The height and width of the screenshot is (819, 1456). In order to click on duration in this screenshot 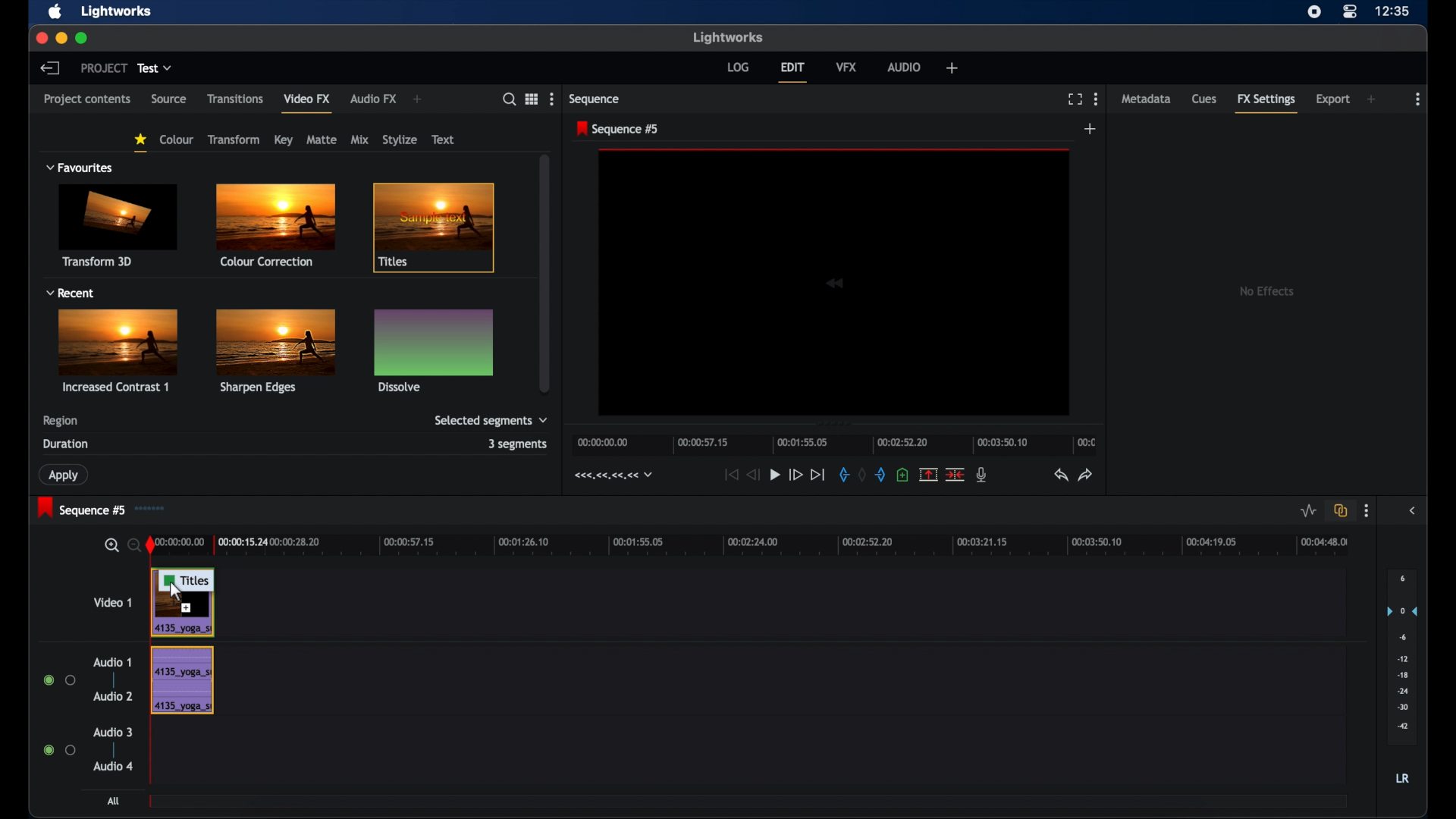, I will do `click(67, 444)`.